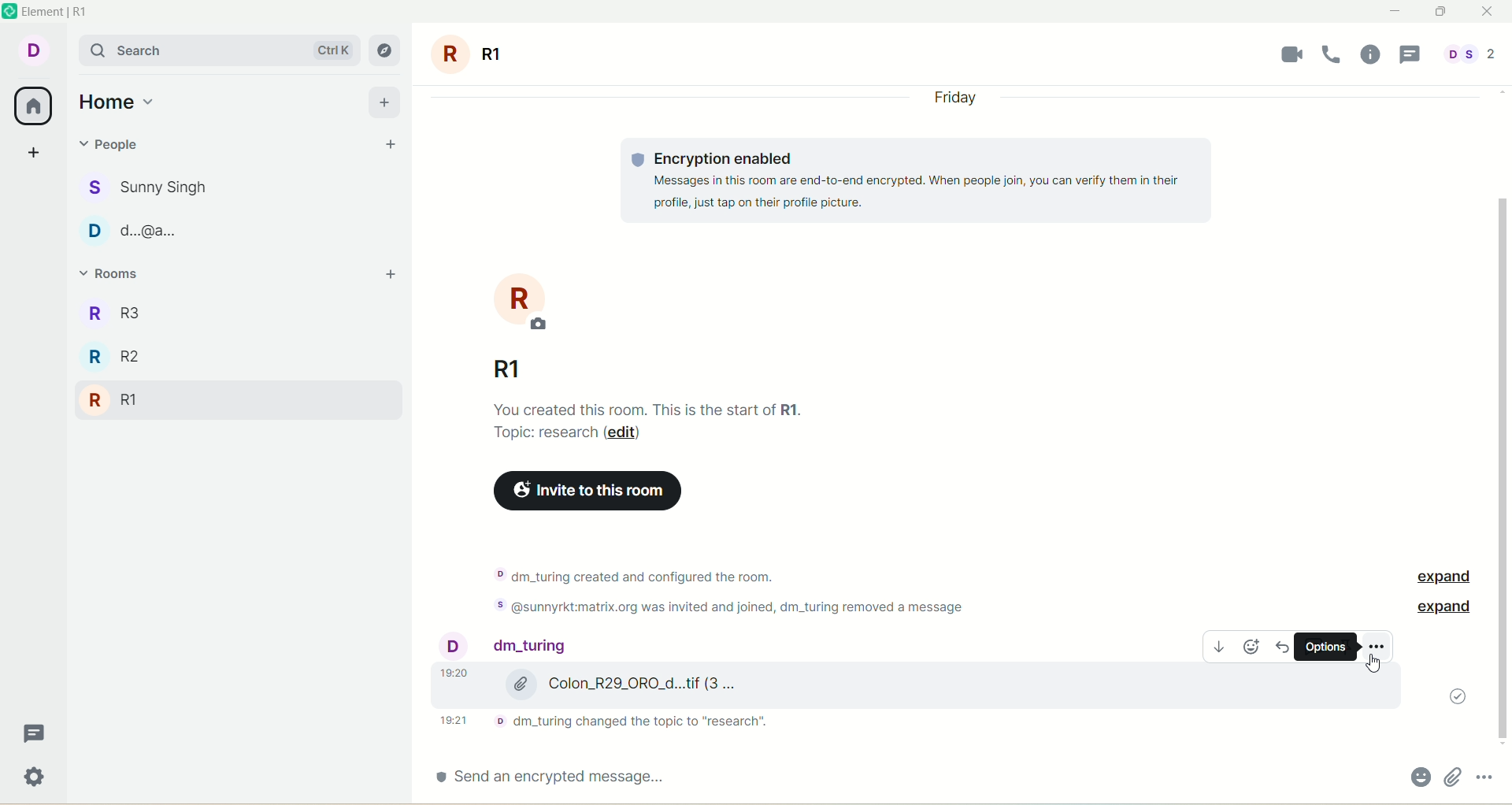 This screenshot has width=1512, height=805. What do you see at coordinates (484, 53) in the screenshot?
I see `room name` at bounding box center [484, 53].